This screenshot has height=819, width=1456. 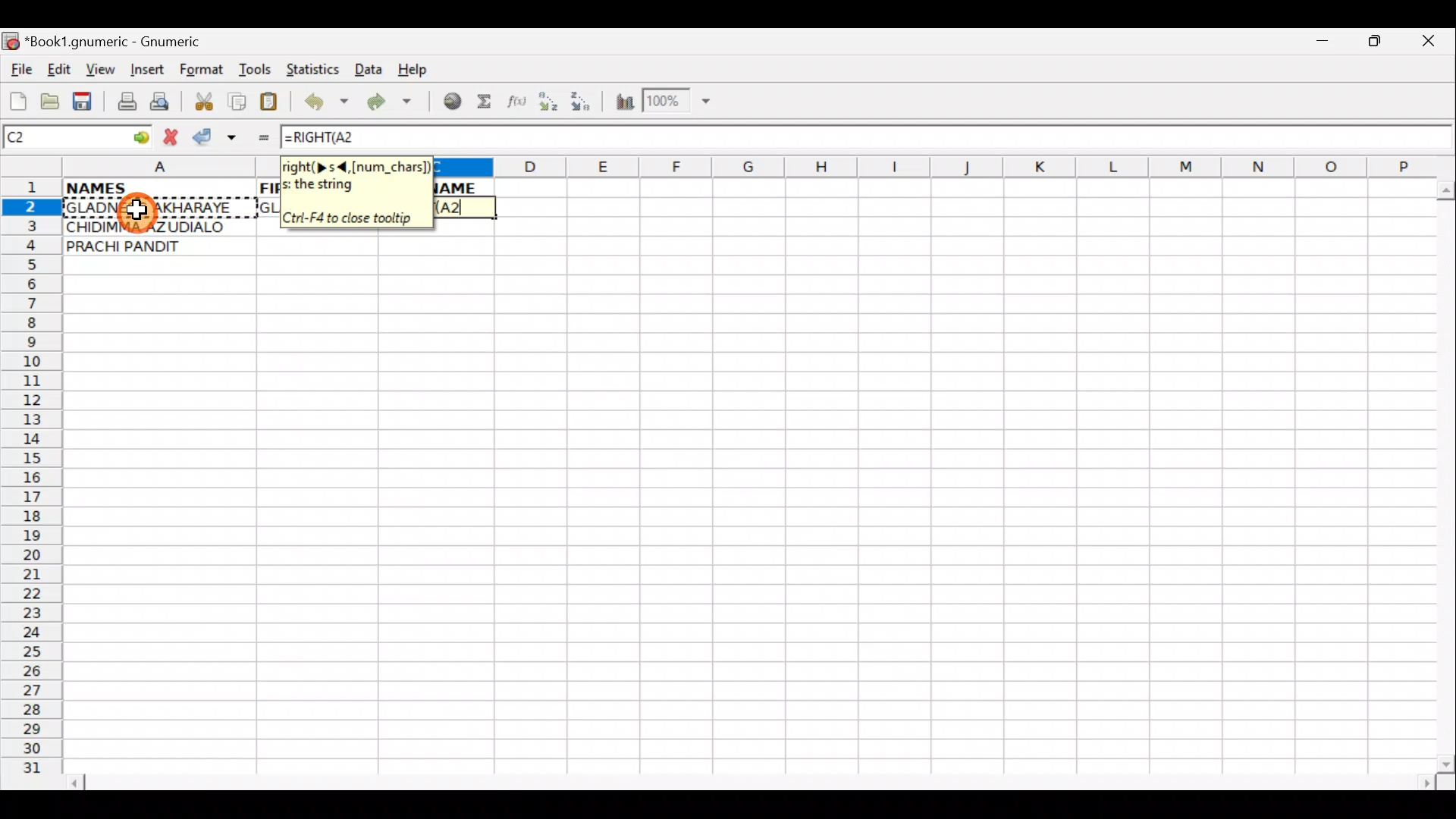 I want to click on GLADNESS AKHARAYE, so click(x=158, y=209).